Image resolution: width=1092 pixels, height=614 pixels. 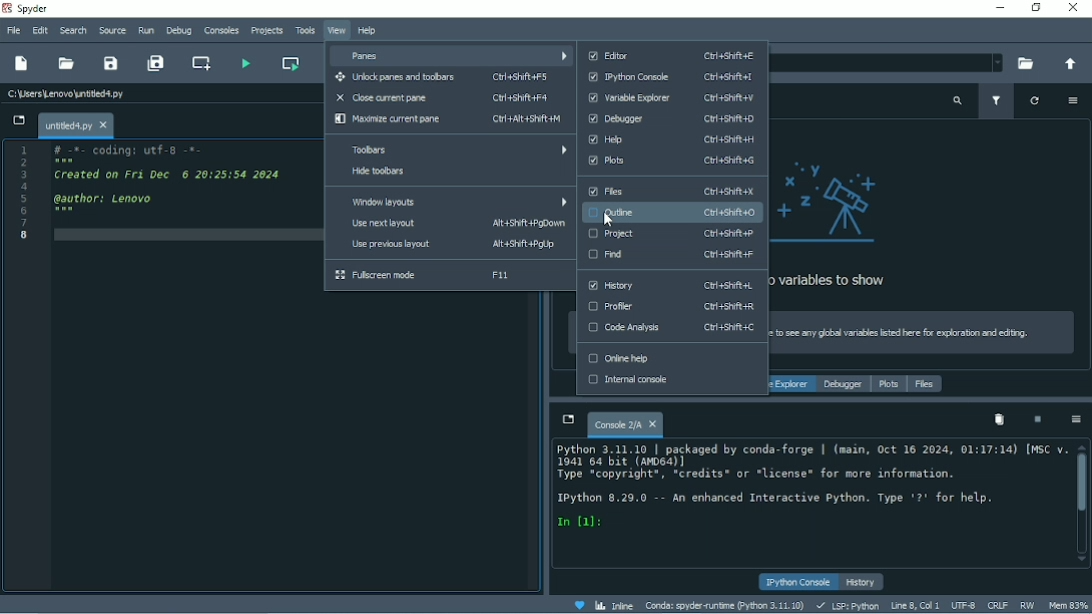 I want to click on Cursor, so click(x=610, y=218).